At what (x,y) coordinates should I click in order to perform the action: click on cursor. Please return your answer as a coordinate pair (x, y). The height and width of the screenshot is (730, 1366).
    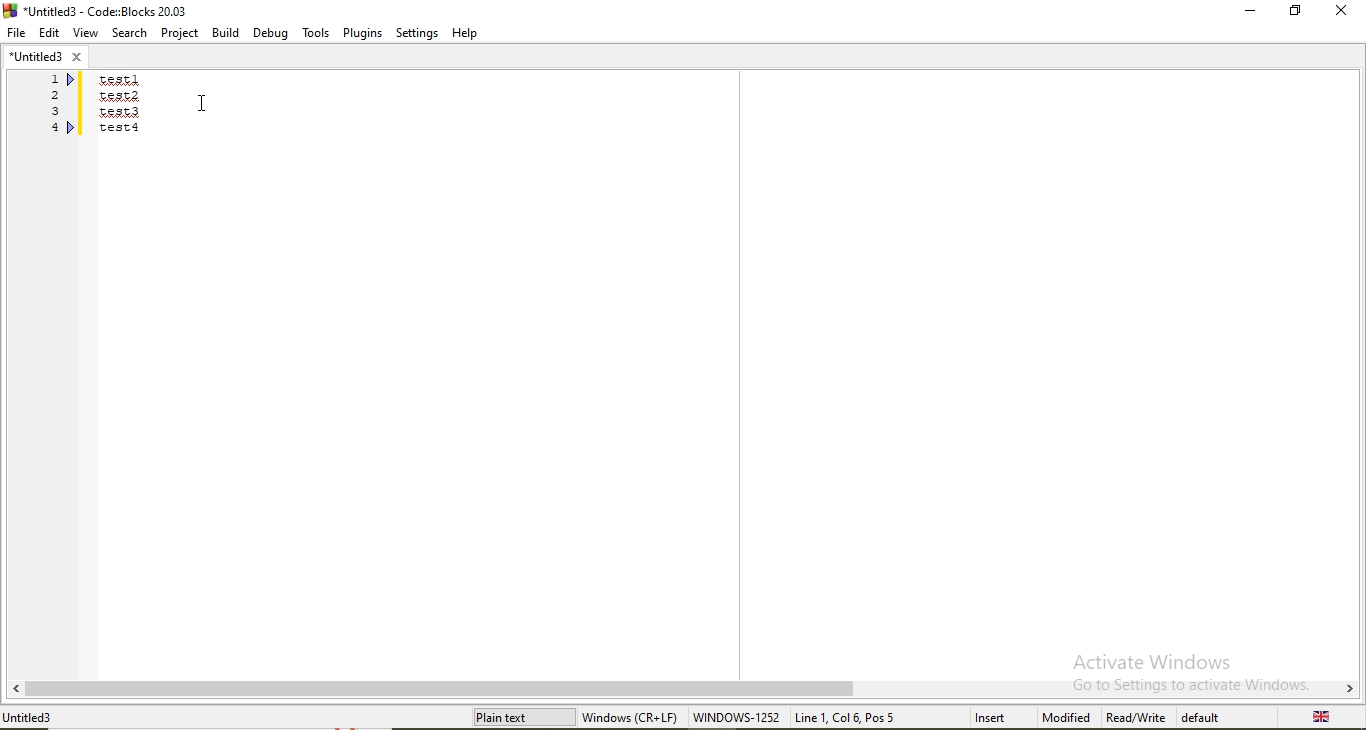
    Looking at the image, I should click on (204, 107).